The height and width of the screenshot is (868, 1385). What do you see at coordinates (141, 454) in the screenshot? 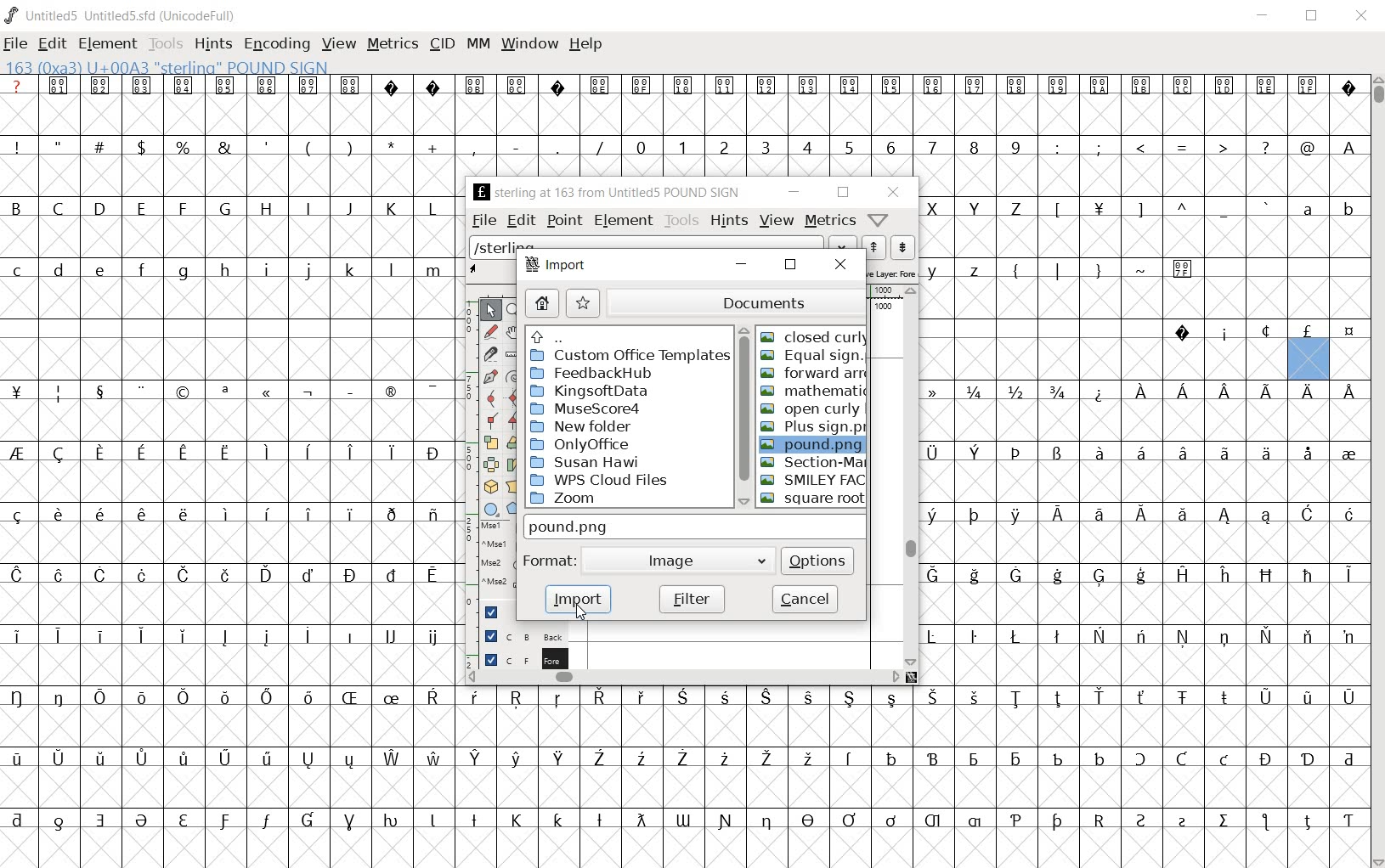
I see `Symbol` at bounding box center [141, 454].